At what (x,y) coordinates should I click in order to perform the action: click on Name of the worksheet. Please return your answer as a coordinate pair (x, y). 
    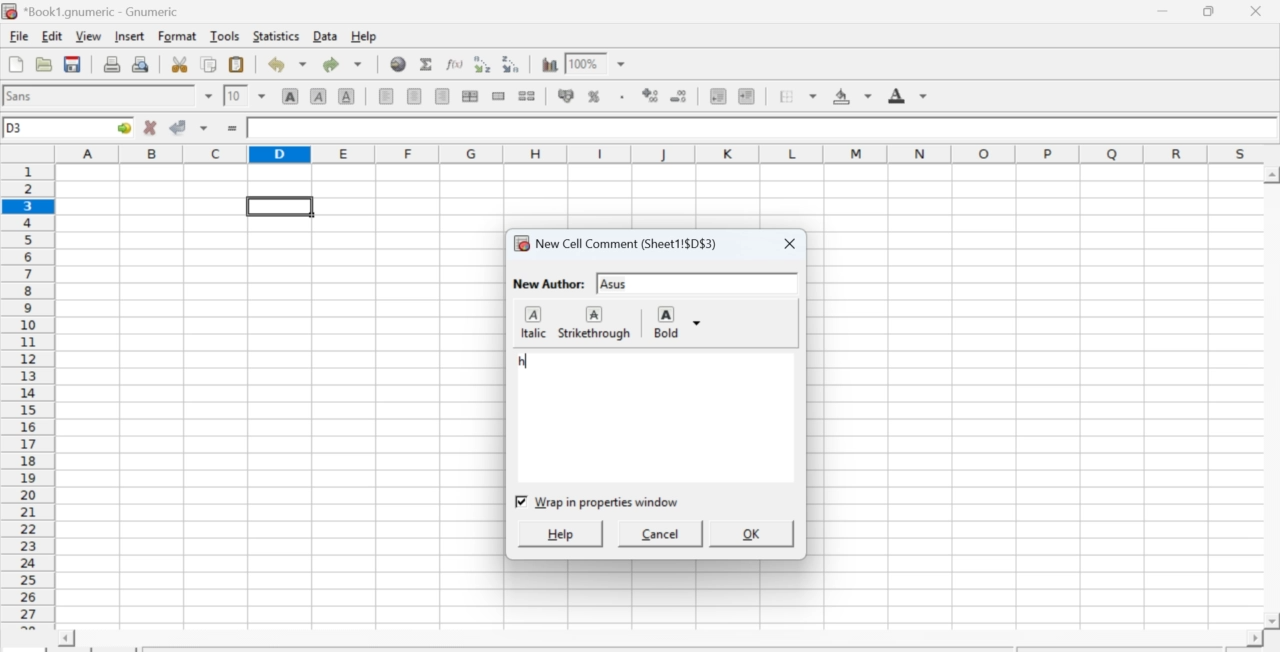
    Looking at the image, I should click on (105, 11).